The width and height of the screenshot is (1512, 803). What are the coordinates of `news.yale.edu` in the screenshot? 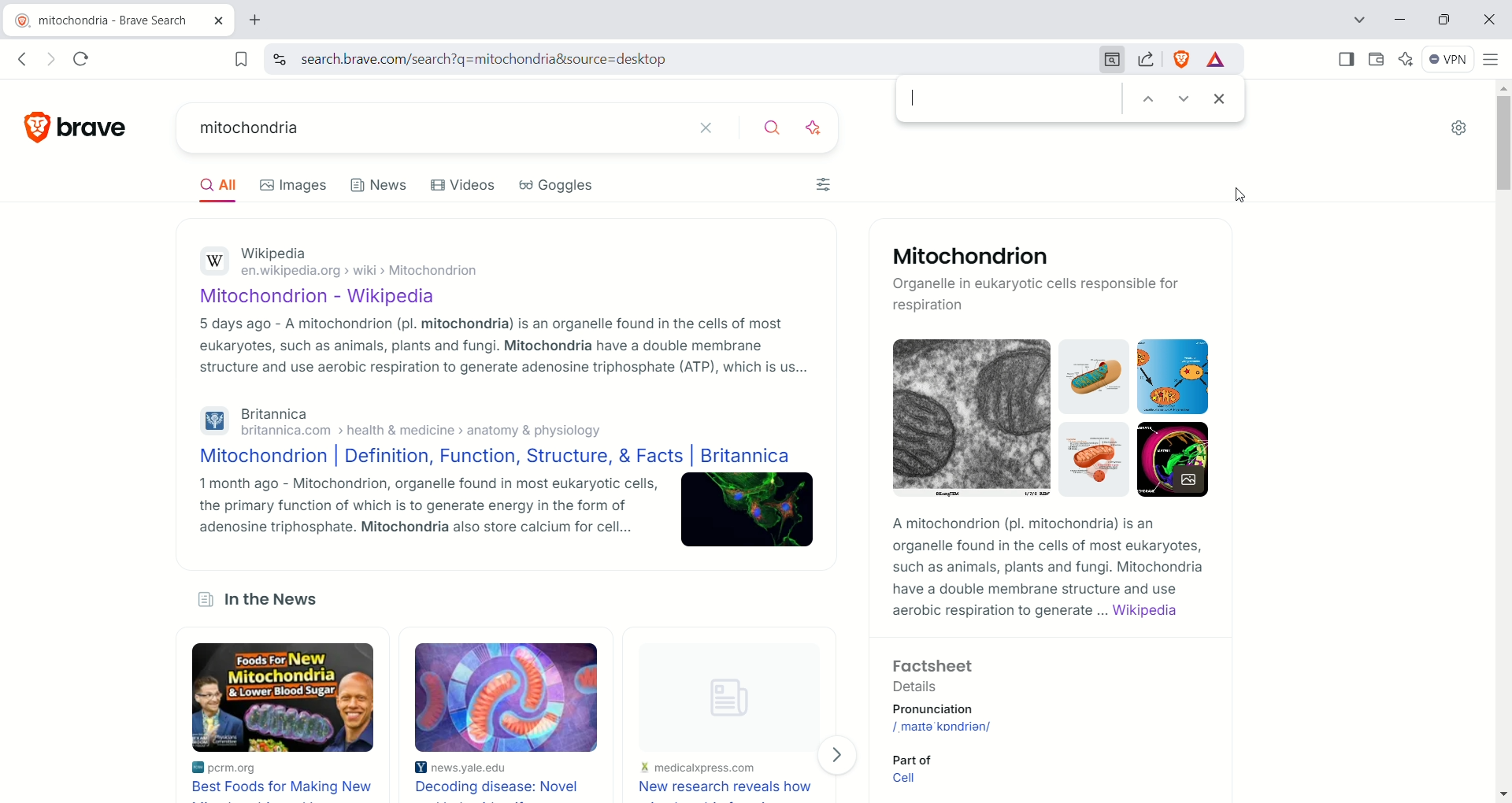 It's located at (466, 769).